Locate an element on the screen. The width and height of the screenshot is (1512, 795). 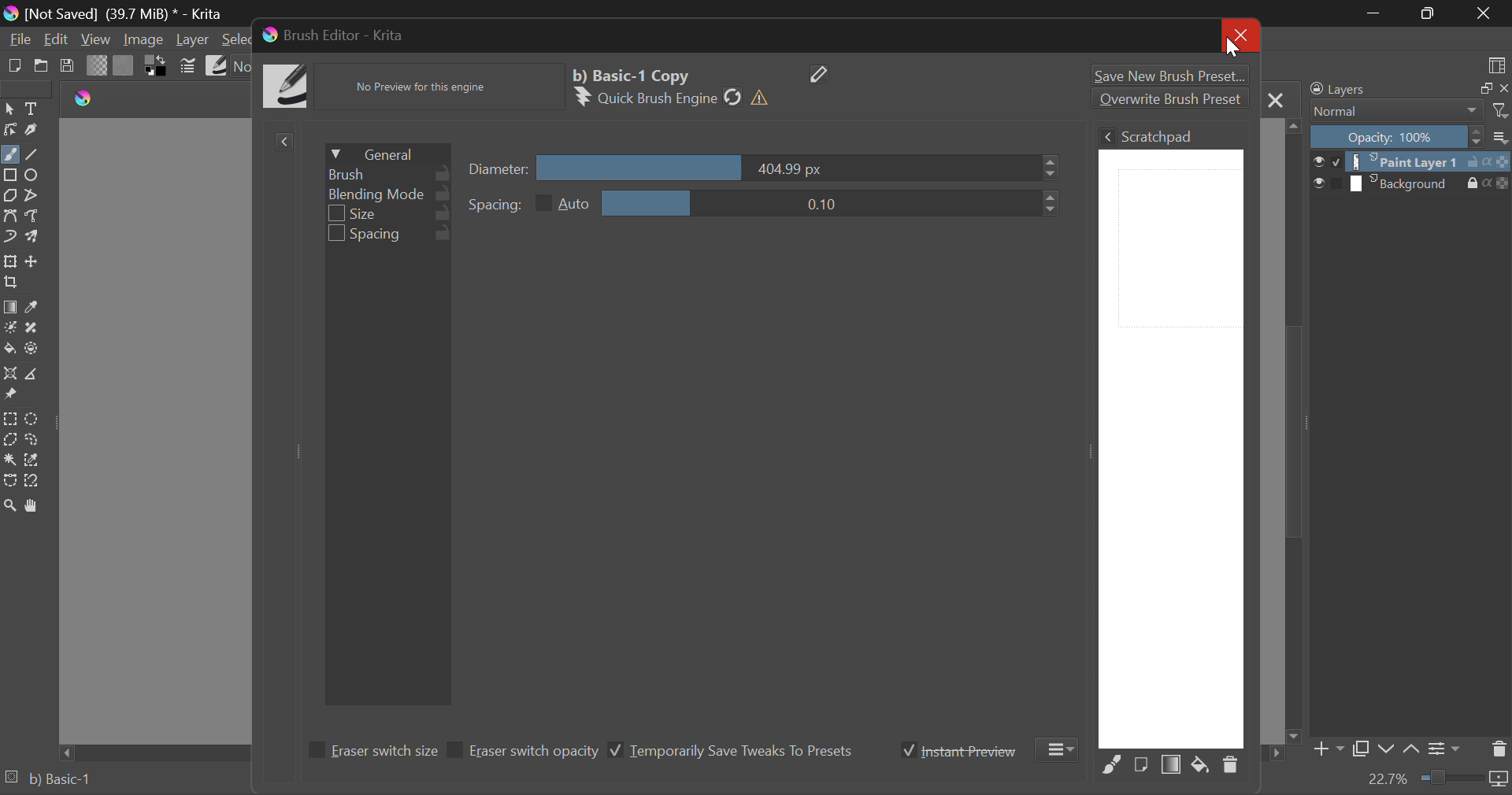
Freehand Path Tools is located at coordinates (37, 215).